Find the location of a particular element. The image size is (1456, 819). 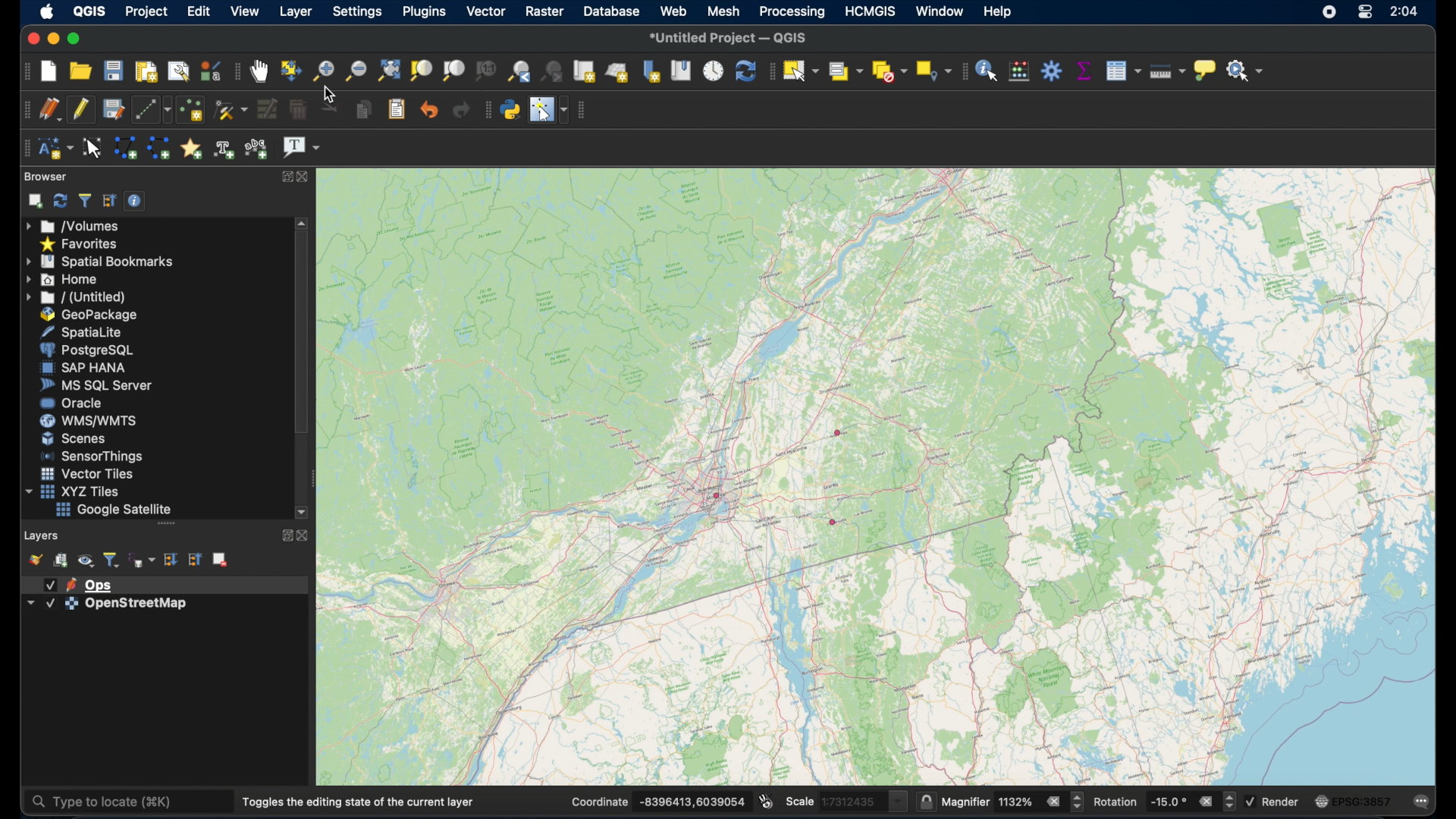

apple logo is located at coordinates (46, 11).